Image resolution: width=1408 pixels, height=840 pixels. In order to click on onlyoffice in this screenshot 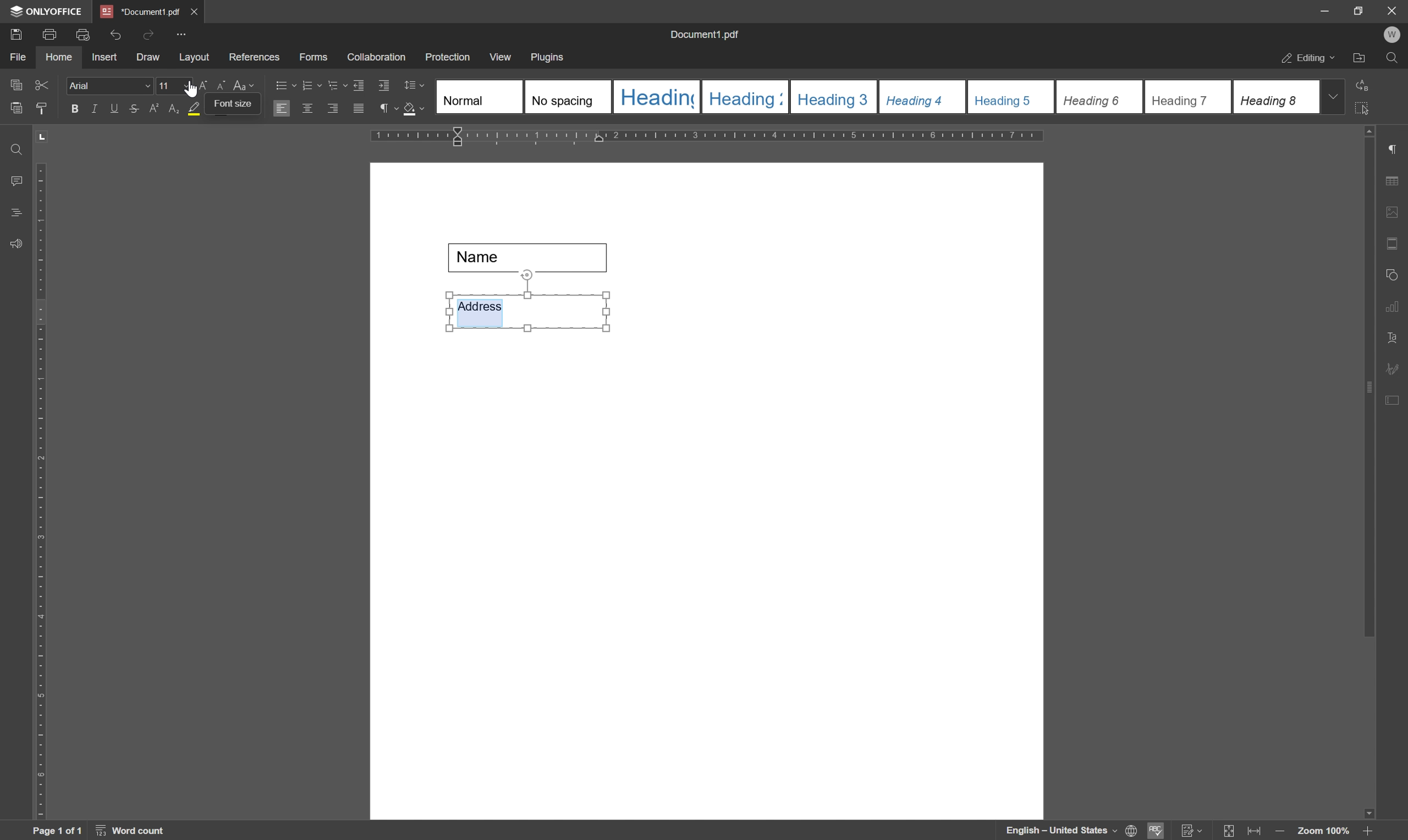, I will do `click(49, 11)`.